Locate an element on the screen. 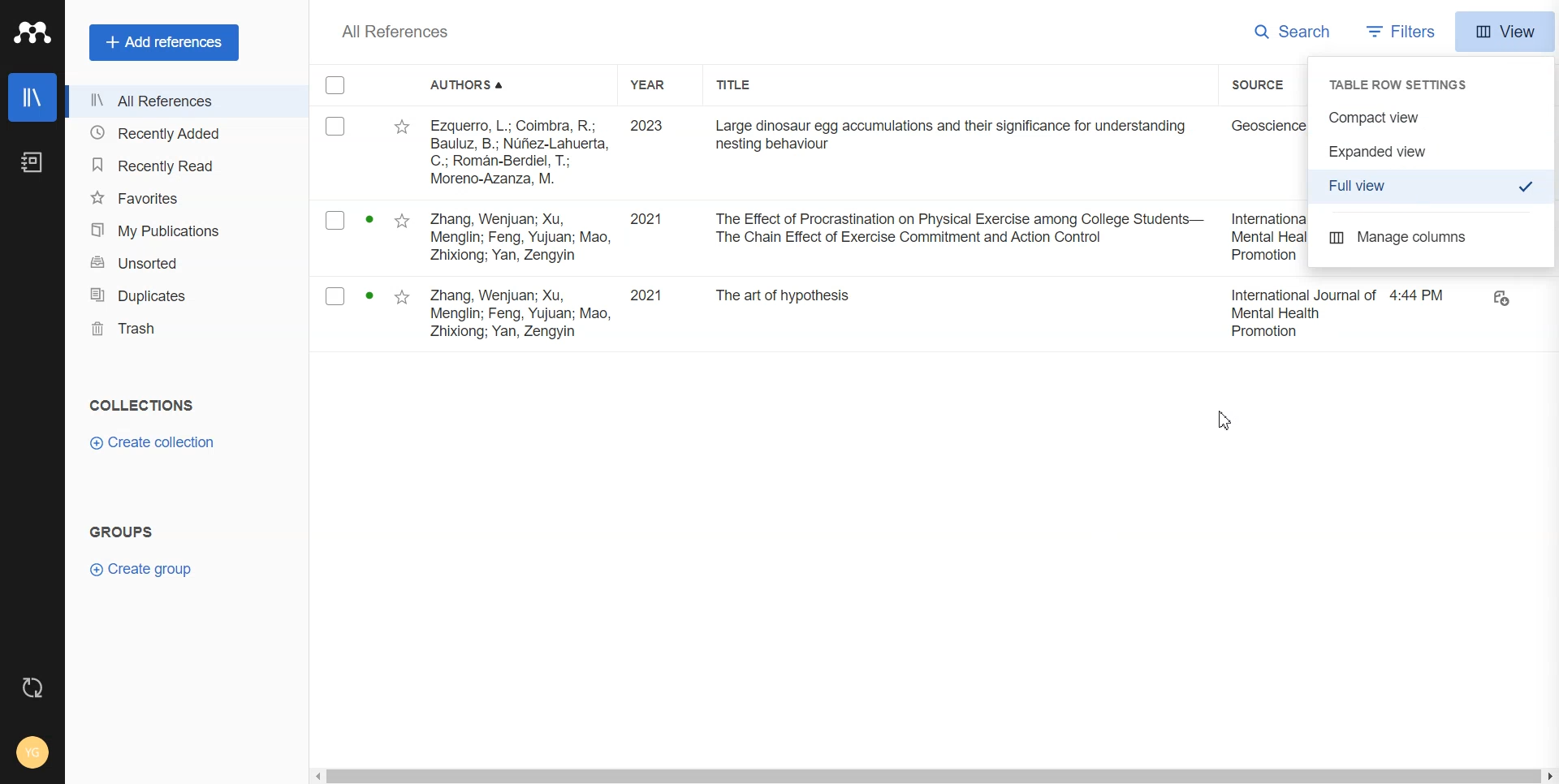  Add references is located at coordinates (165, 42).